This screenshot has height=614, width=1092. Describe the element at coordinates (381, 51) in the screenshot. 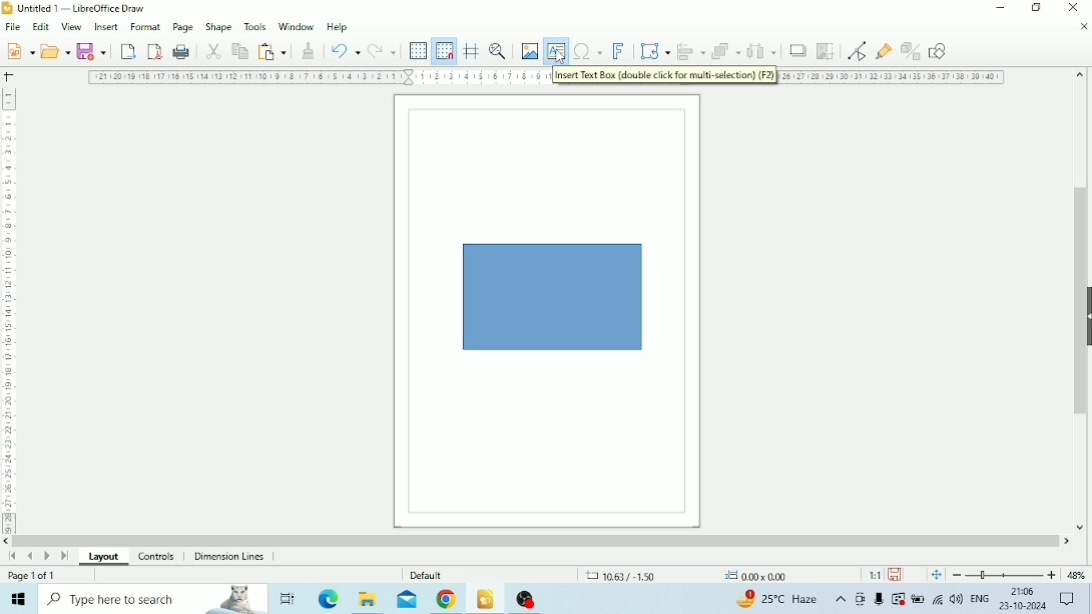

I see `Redo` at that location.